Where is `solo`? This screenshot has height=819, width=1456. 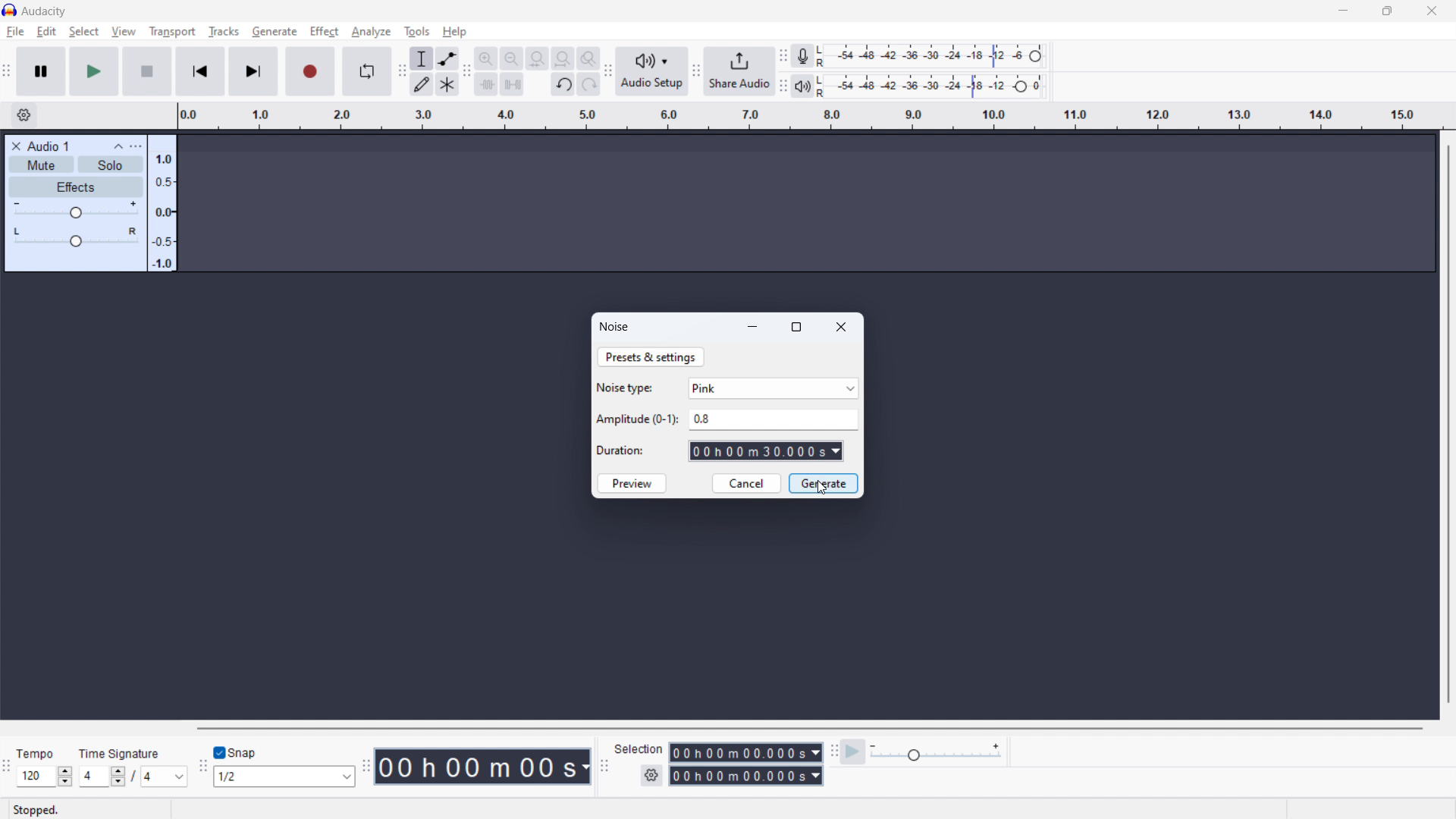 solo is located at coordinates (109, 165).